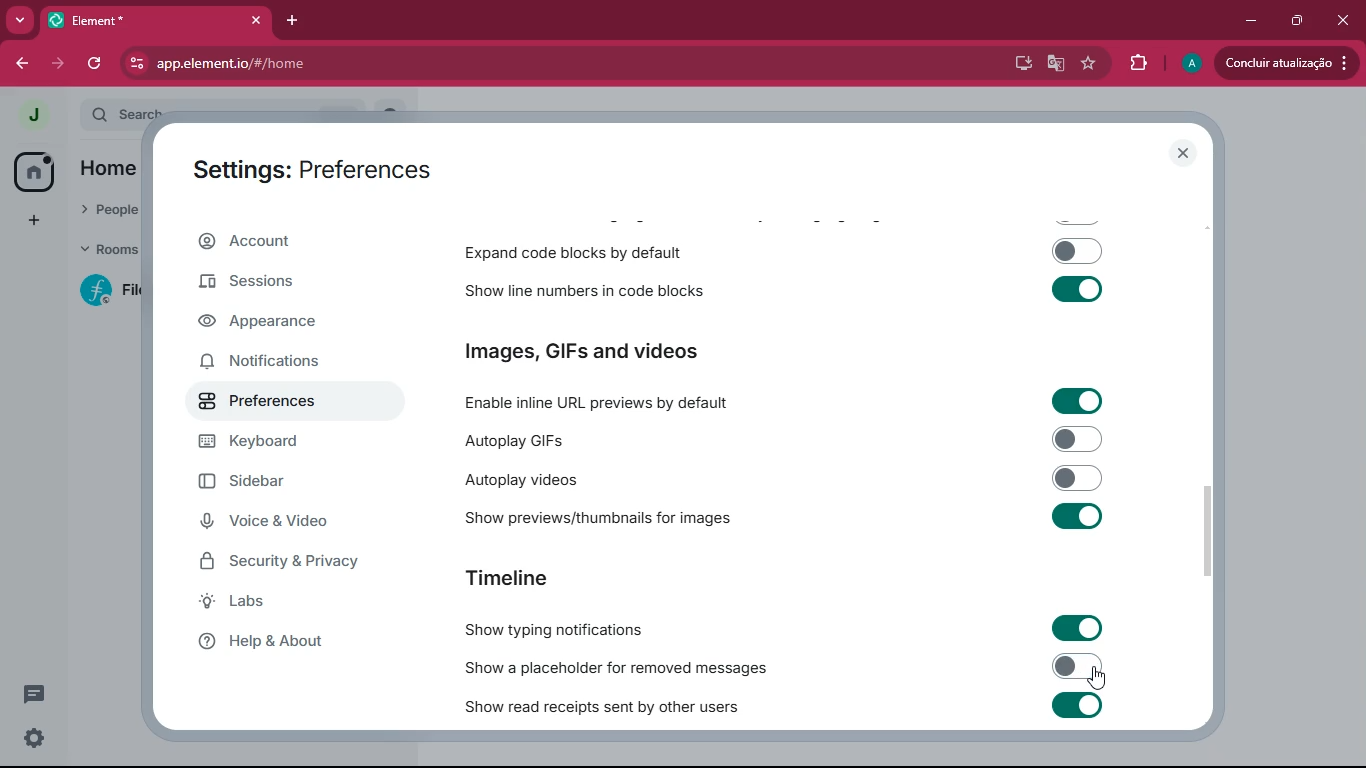  Describe the element at coordinates (277, 523) in the screenshot. I see `voice & video` at that location.